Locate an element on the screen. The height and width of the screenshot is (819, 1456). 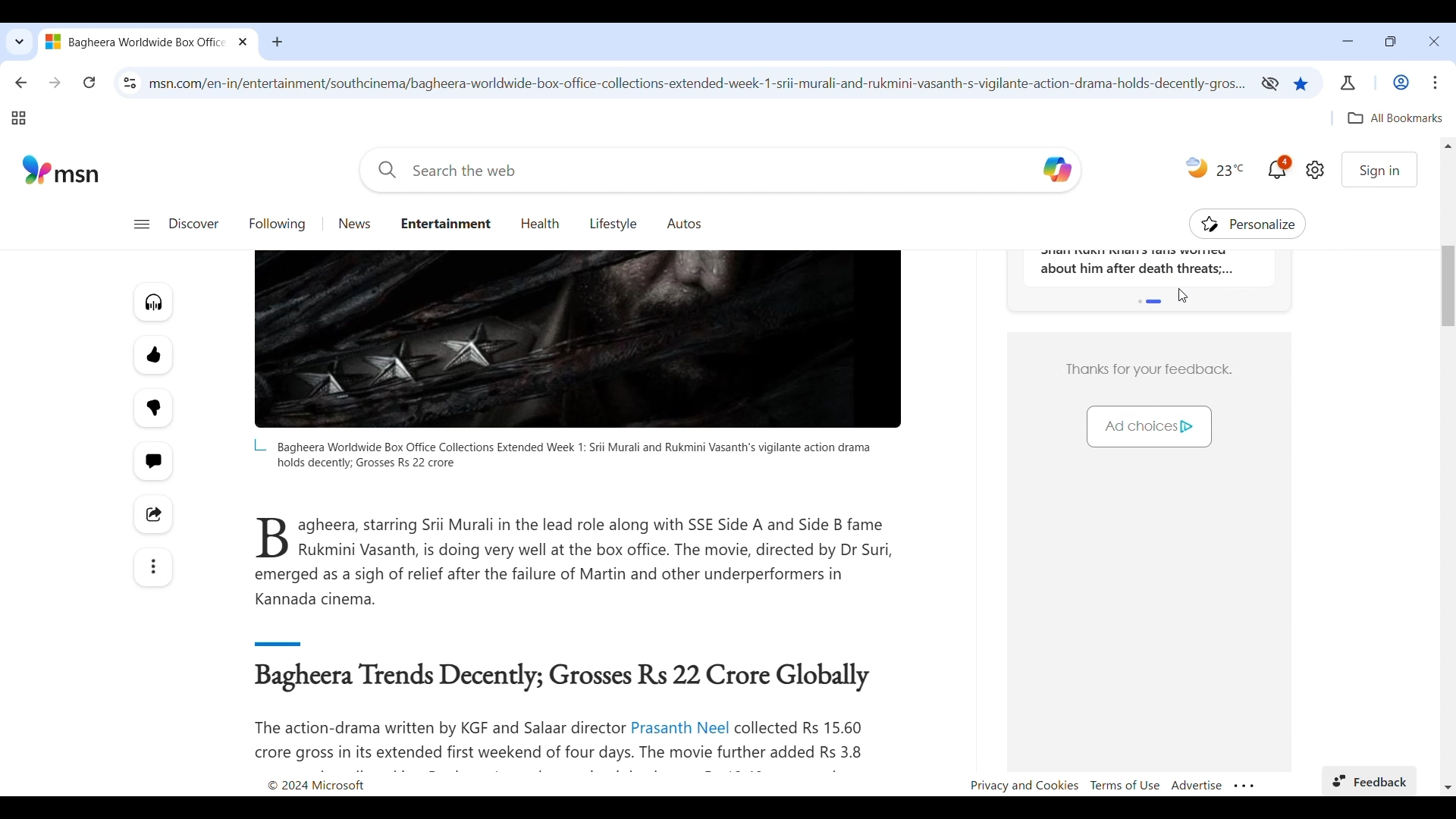
Share this story is located at coordinates (153, 514).